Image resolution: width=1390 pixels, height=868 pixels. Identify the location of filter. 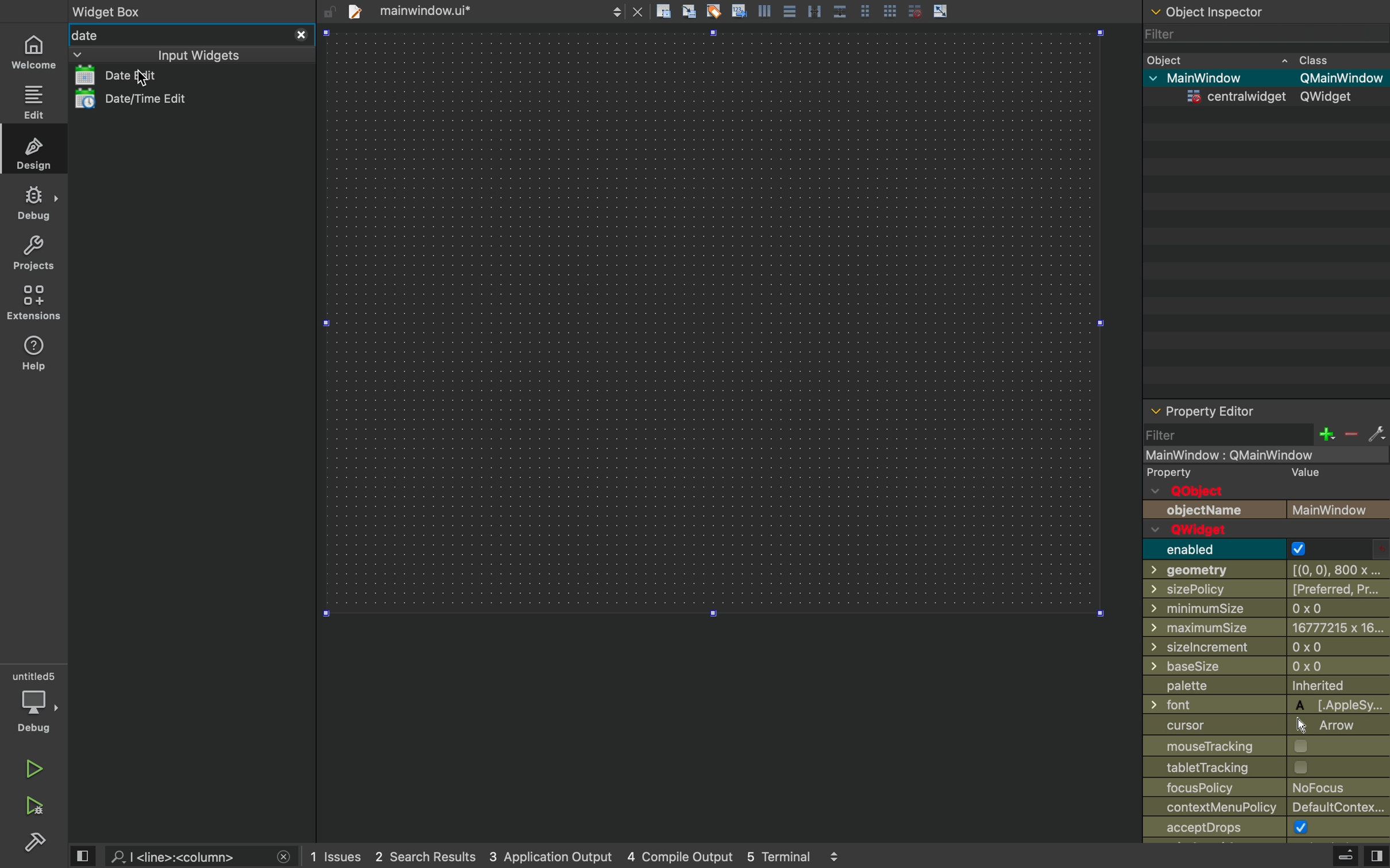
(1171, 33).